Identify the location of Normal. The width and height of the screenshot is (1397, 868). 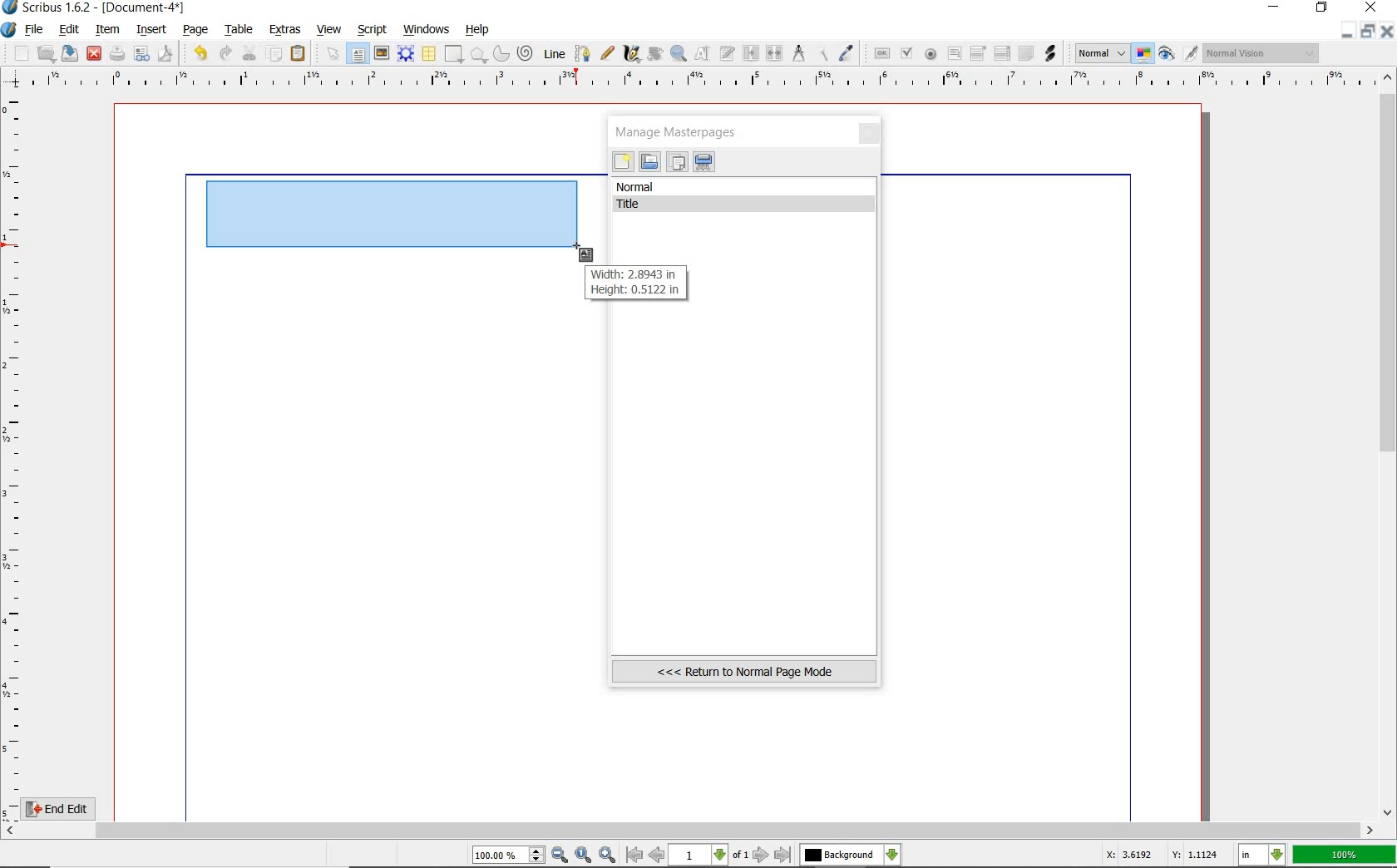
(1100, 53).